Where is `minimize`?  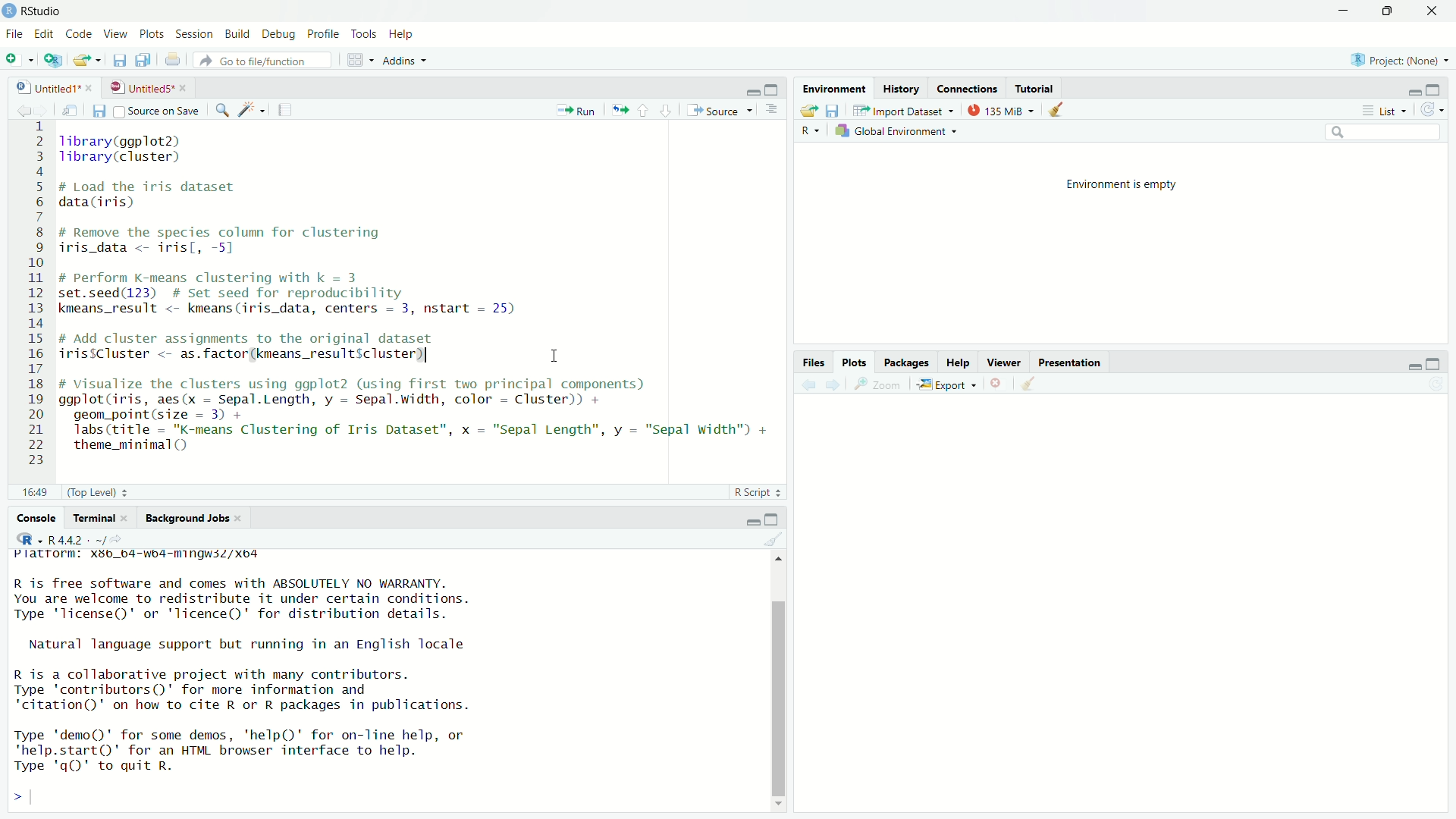 minimize is located at coordinates (1409, 364).